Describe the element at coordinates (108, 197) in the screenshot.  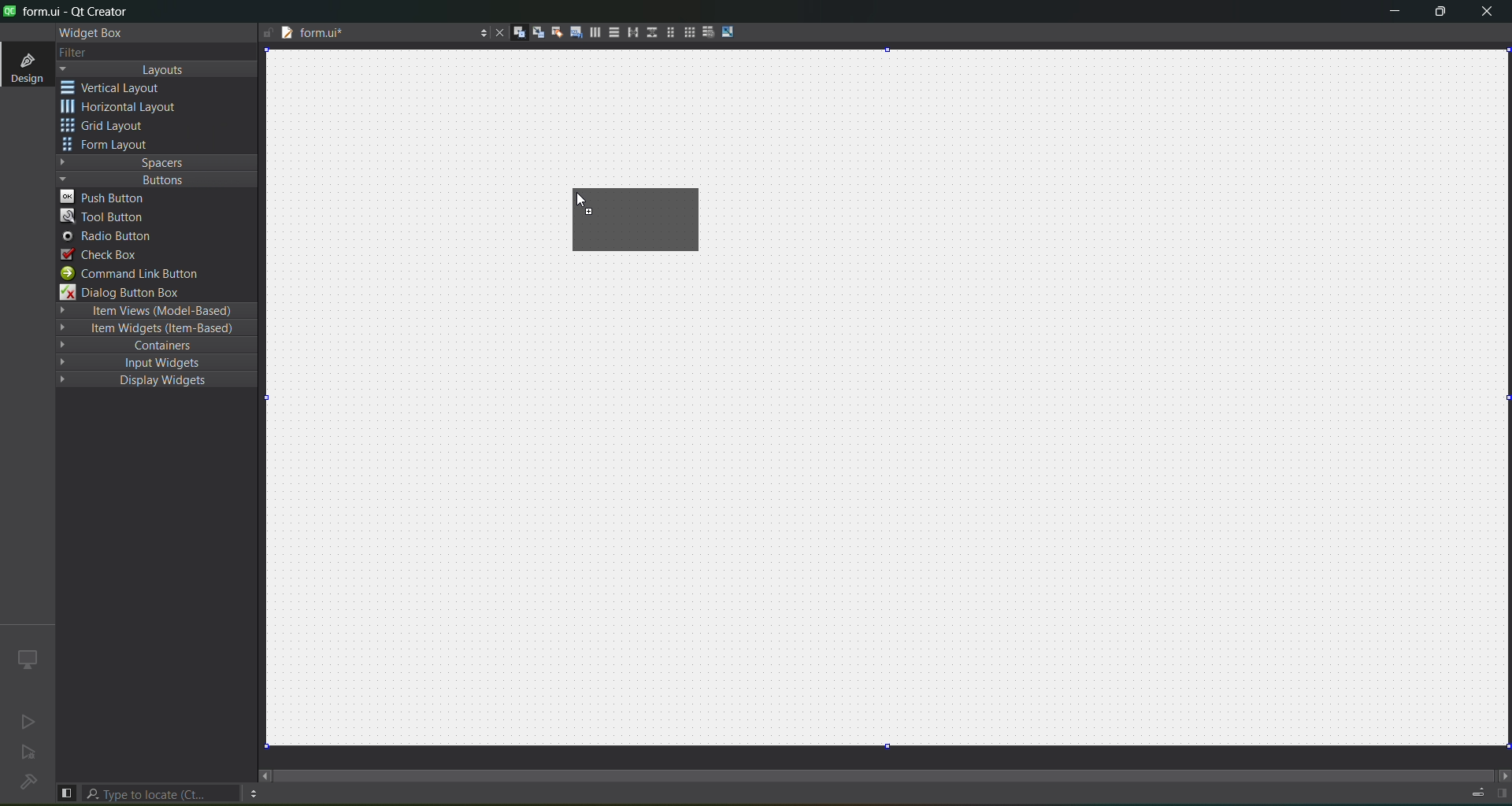
I see `push` at that location.